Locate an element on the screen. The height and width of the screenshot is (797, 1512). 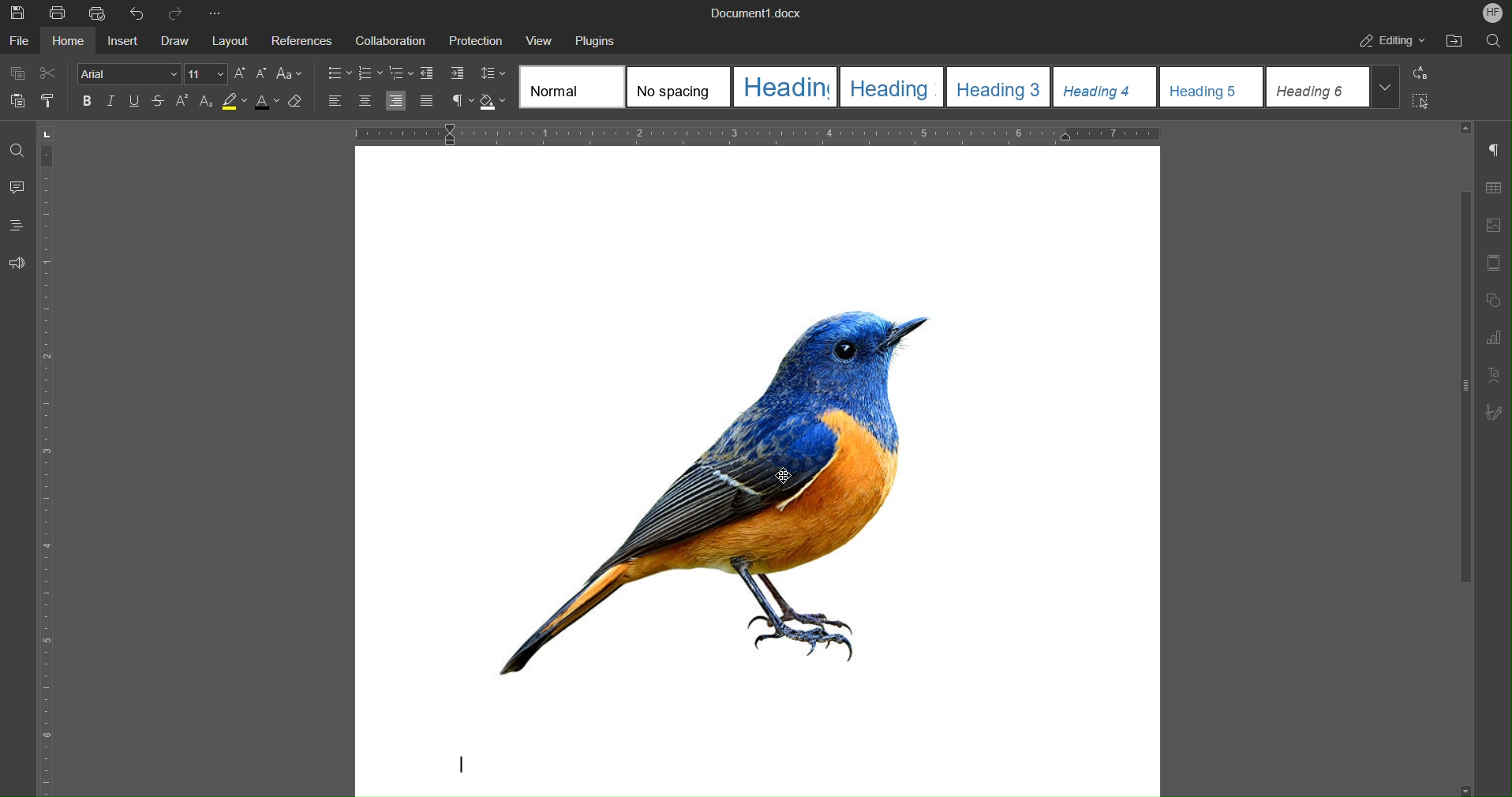
Strikethrough is located at coordinates (159, 103).